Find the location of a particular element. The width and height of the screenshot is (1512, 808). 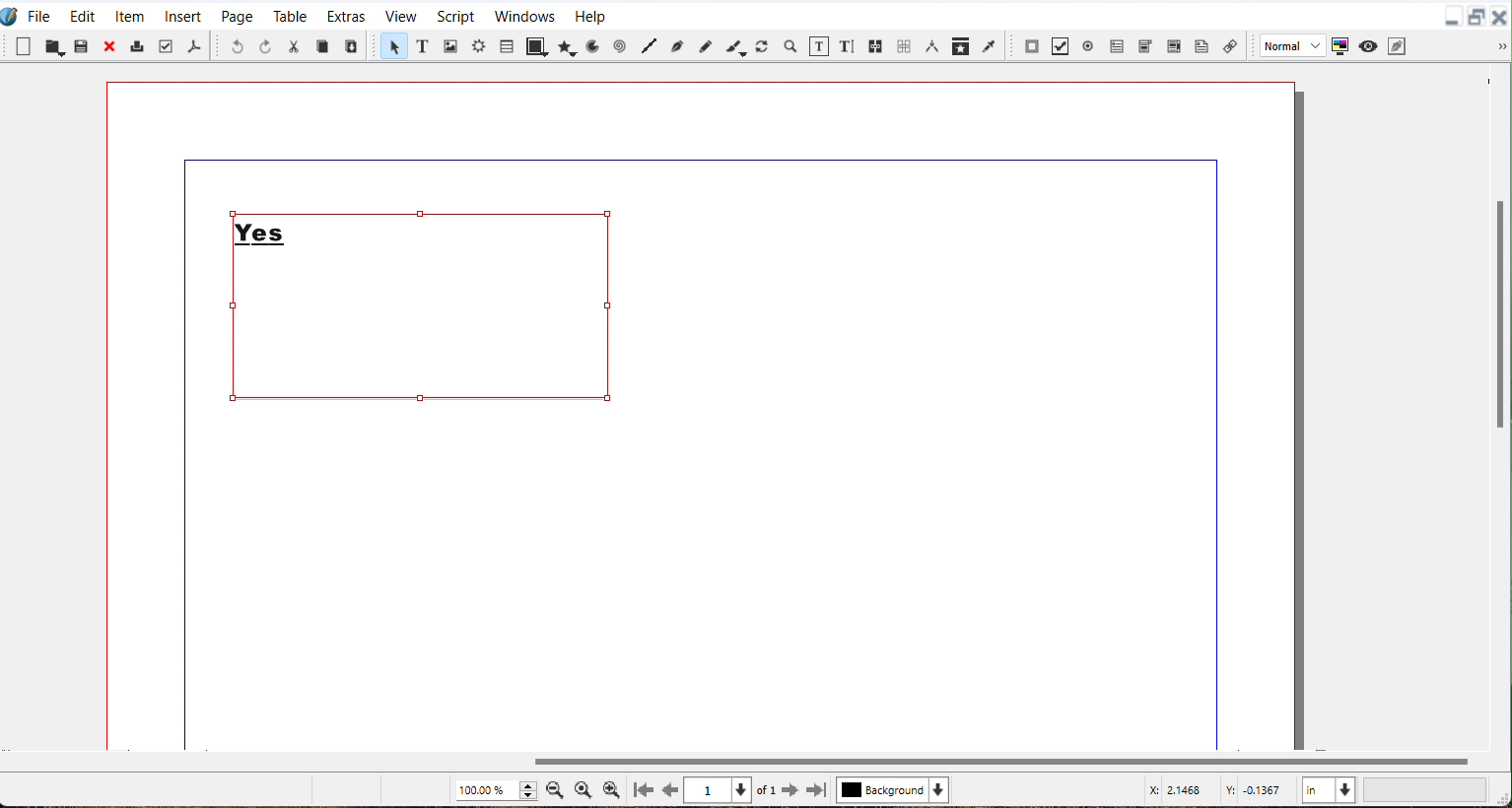

Text Frame is located at coordinates (421, 47).